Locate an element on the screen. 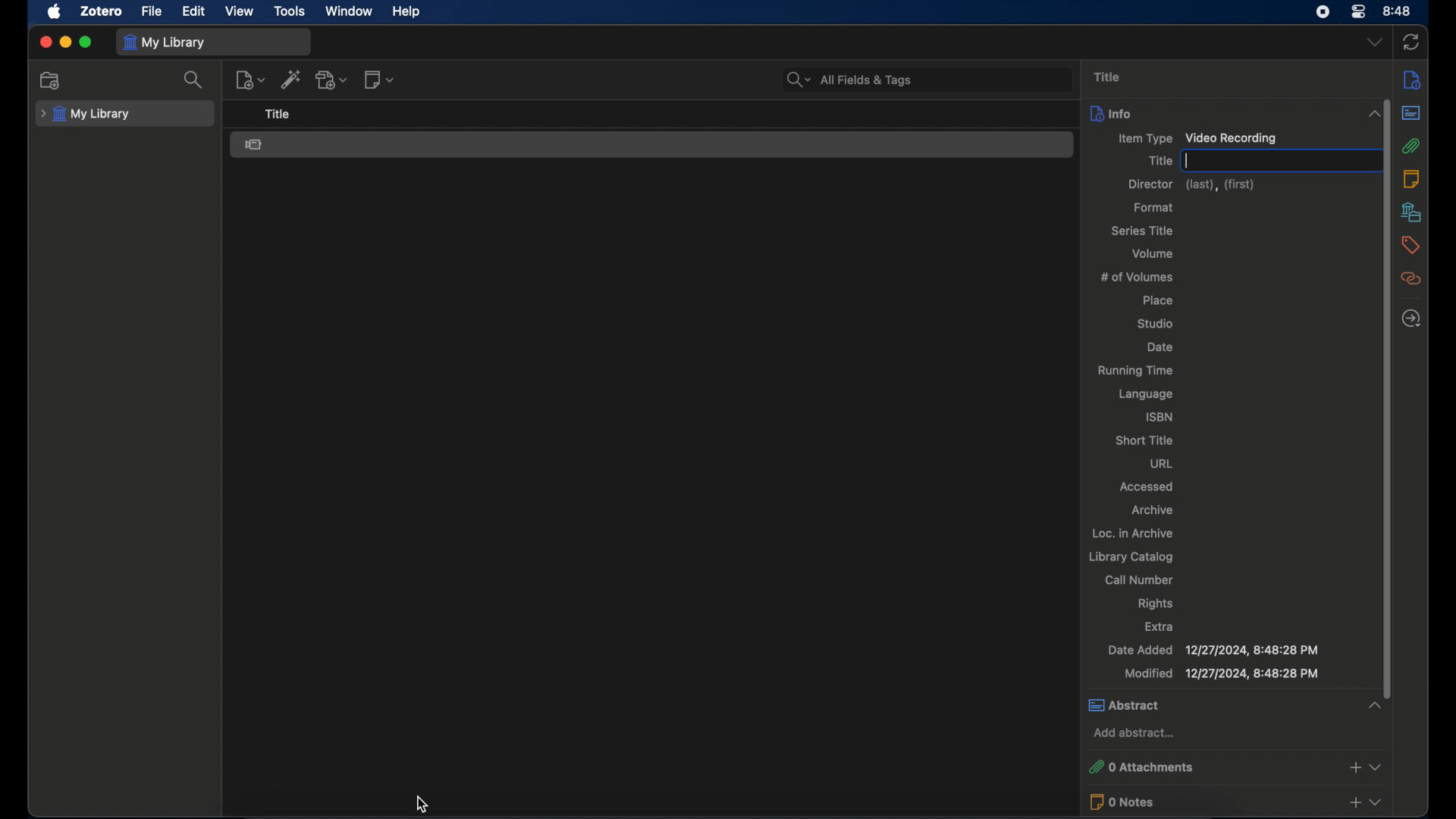 The image size is (1456, 819). rights is located at coordinates (1156, 604).